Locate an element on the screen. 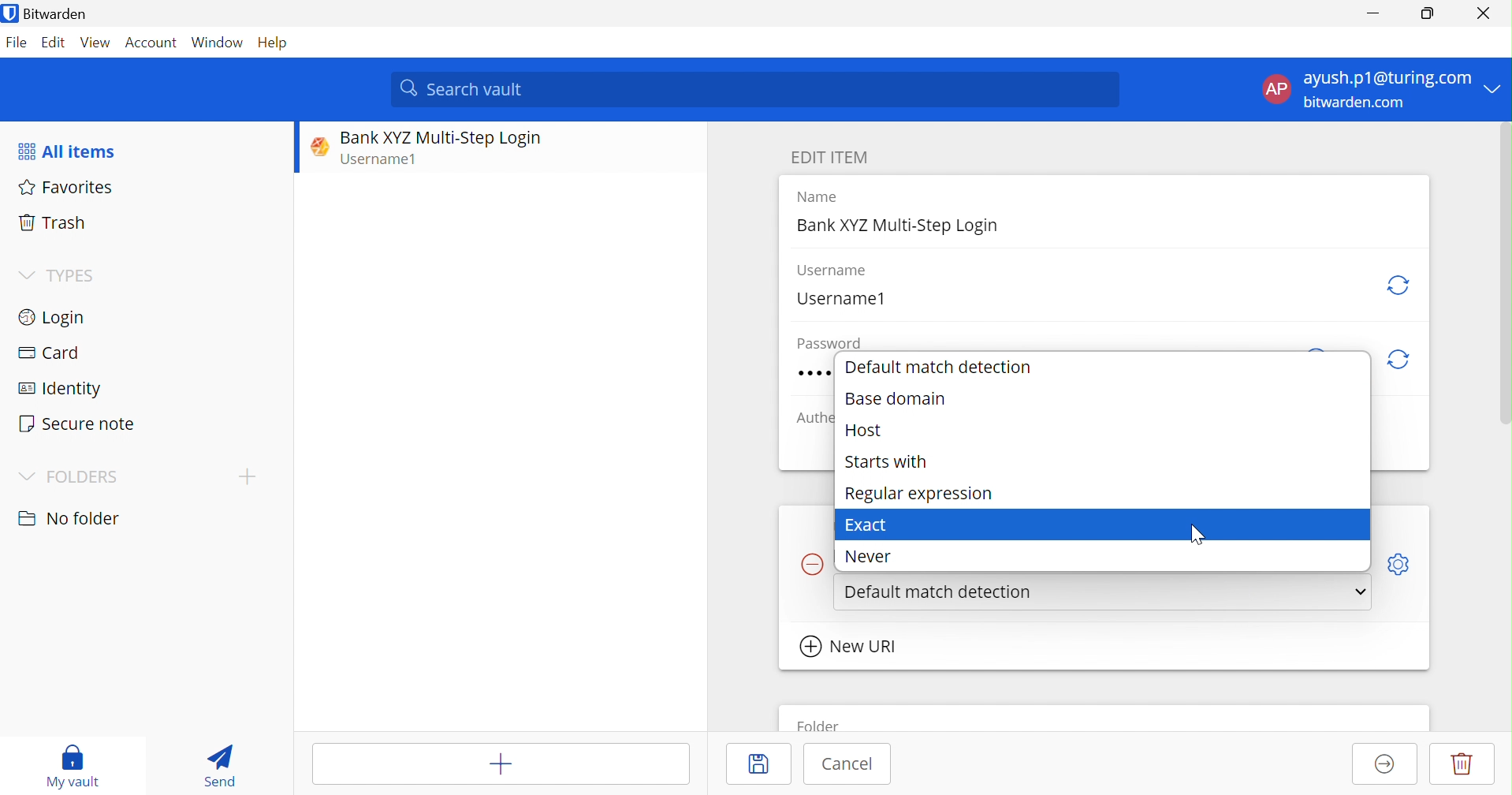  Help is located at coordinates (275, 44).